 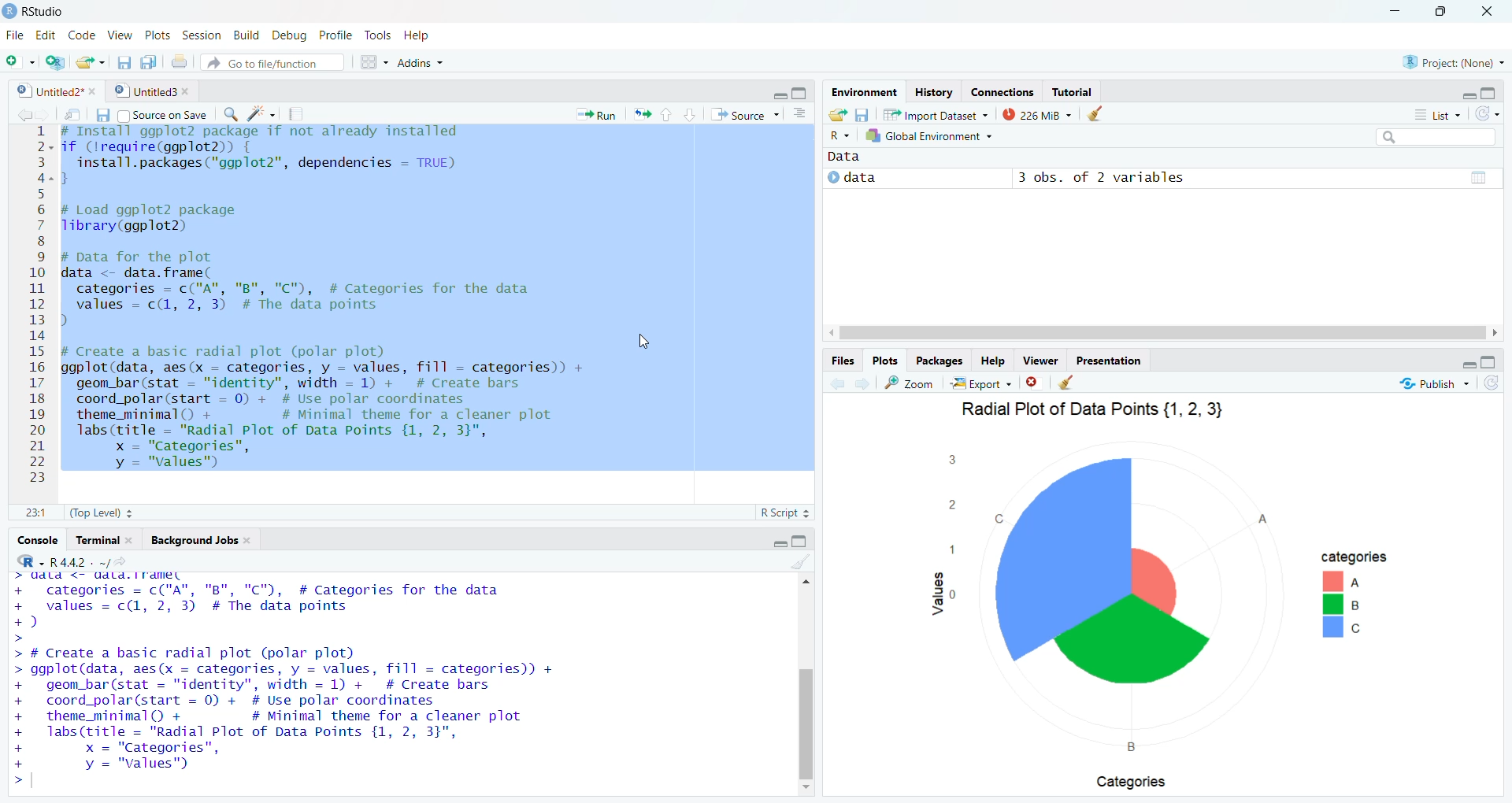 What do you see at coordinates (746, 115) in the screenshot?
I see `Source ` at bounding box center [746, 115].